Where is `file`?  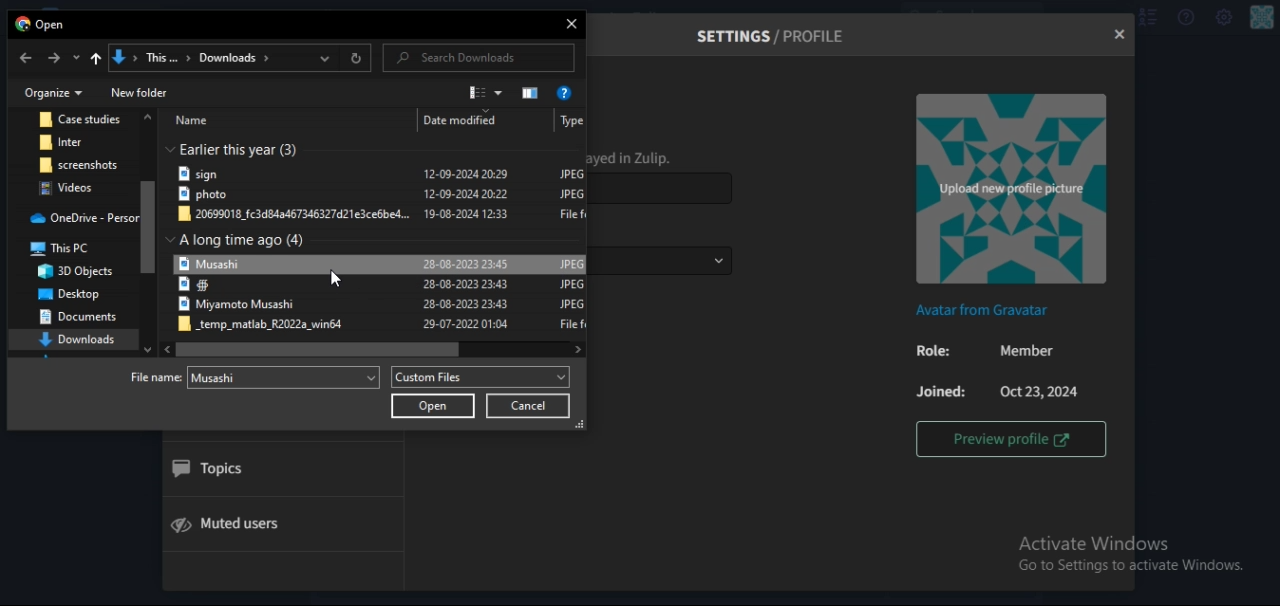
file is located at coordinates (74, 188).